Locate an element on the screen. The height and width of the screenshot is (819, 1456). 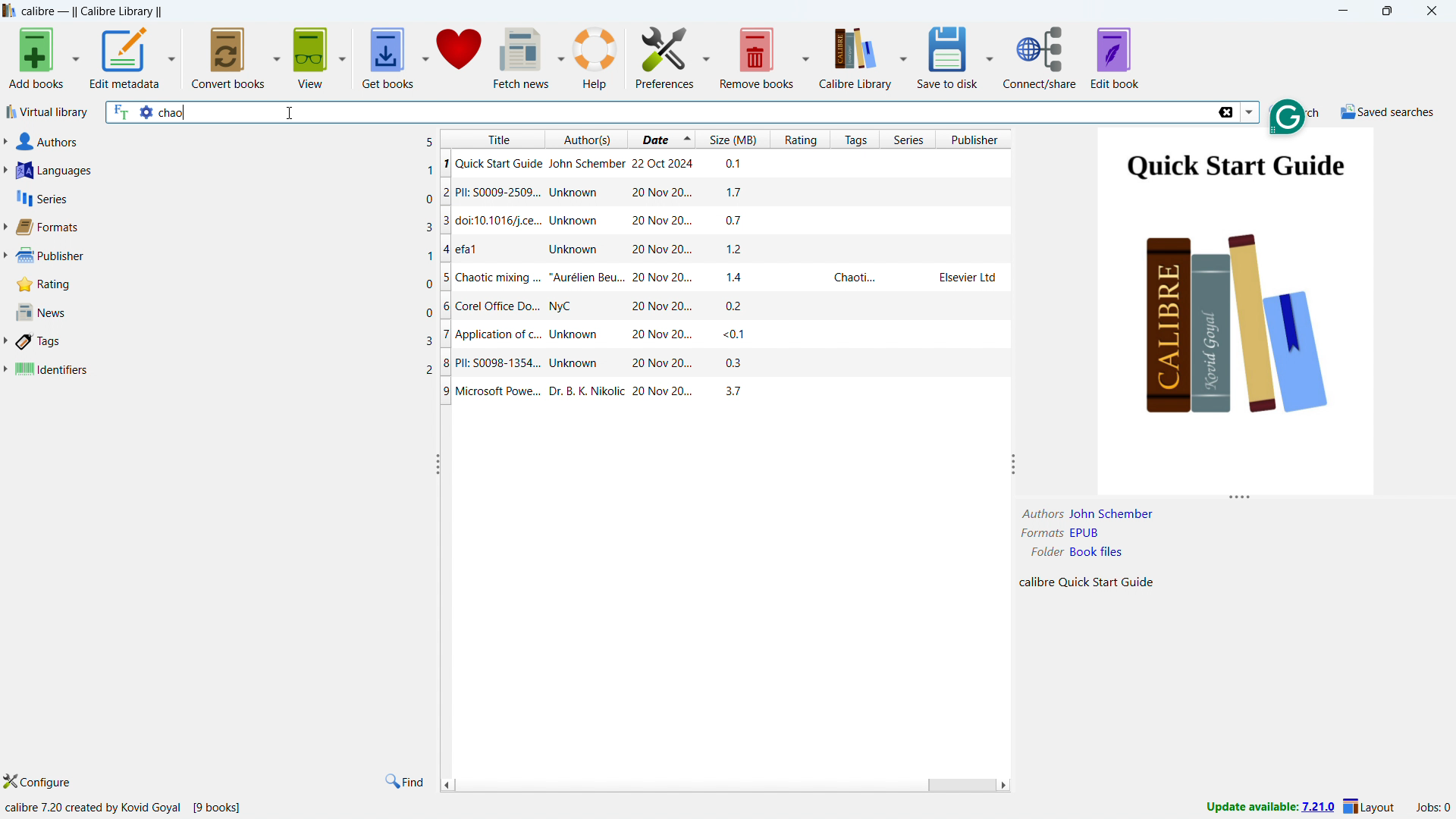
cursor is located at coordinates (292, 113).